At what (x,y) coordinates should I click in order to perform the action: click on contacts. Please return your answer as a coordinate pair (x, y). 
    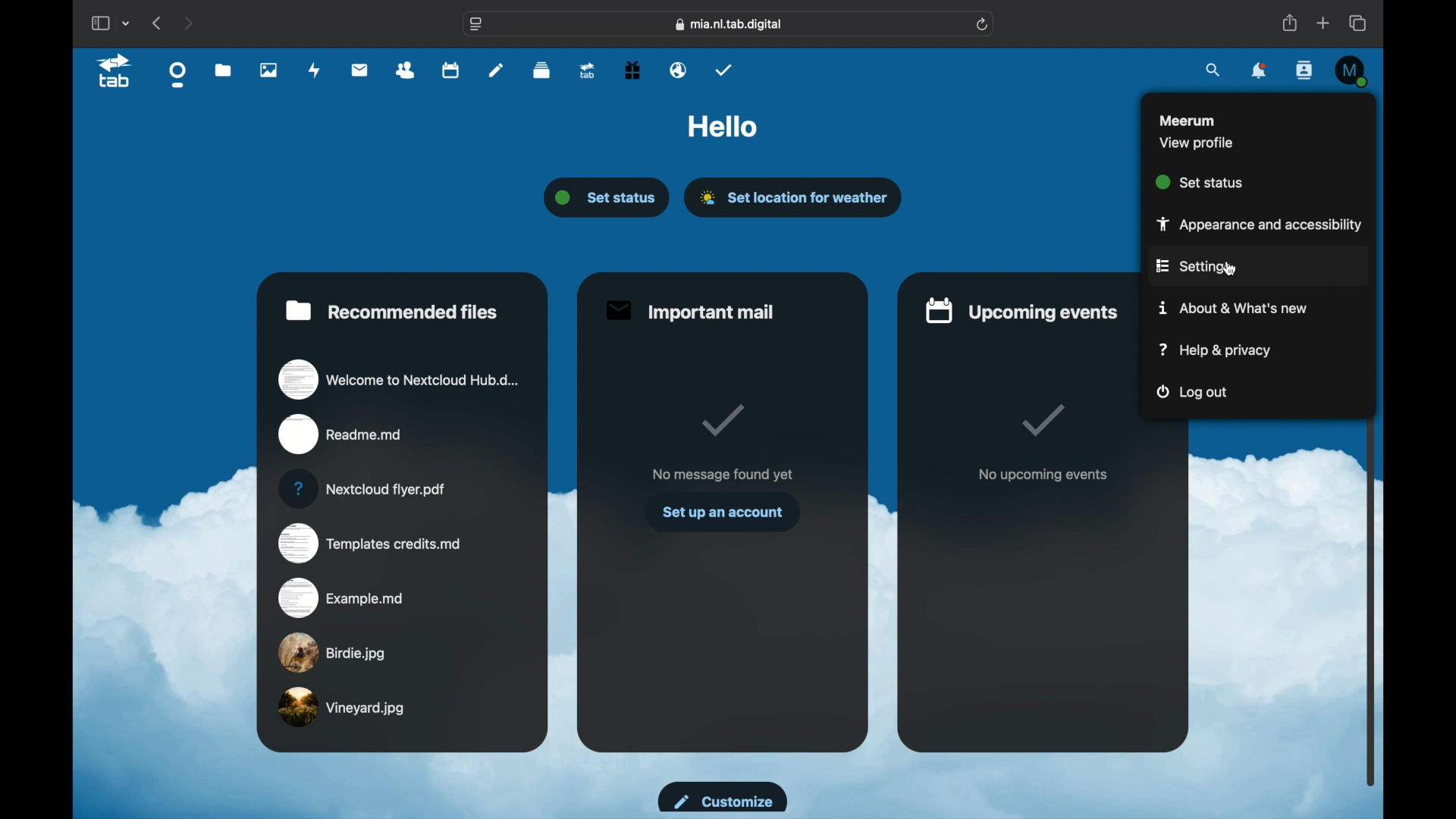
    Looking at the image, I should click on (1306, 71).